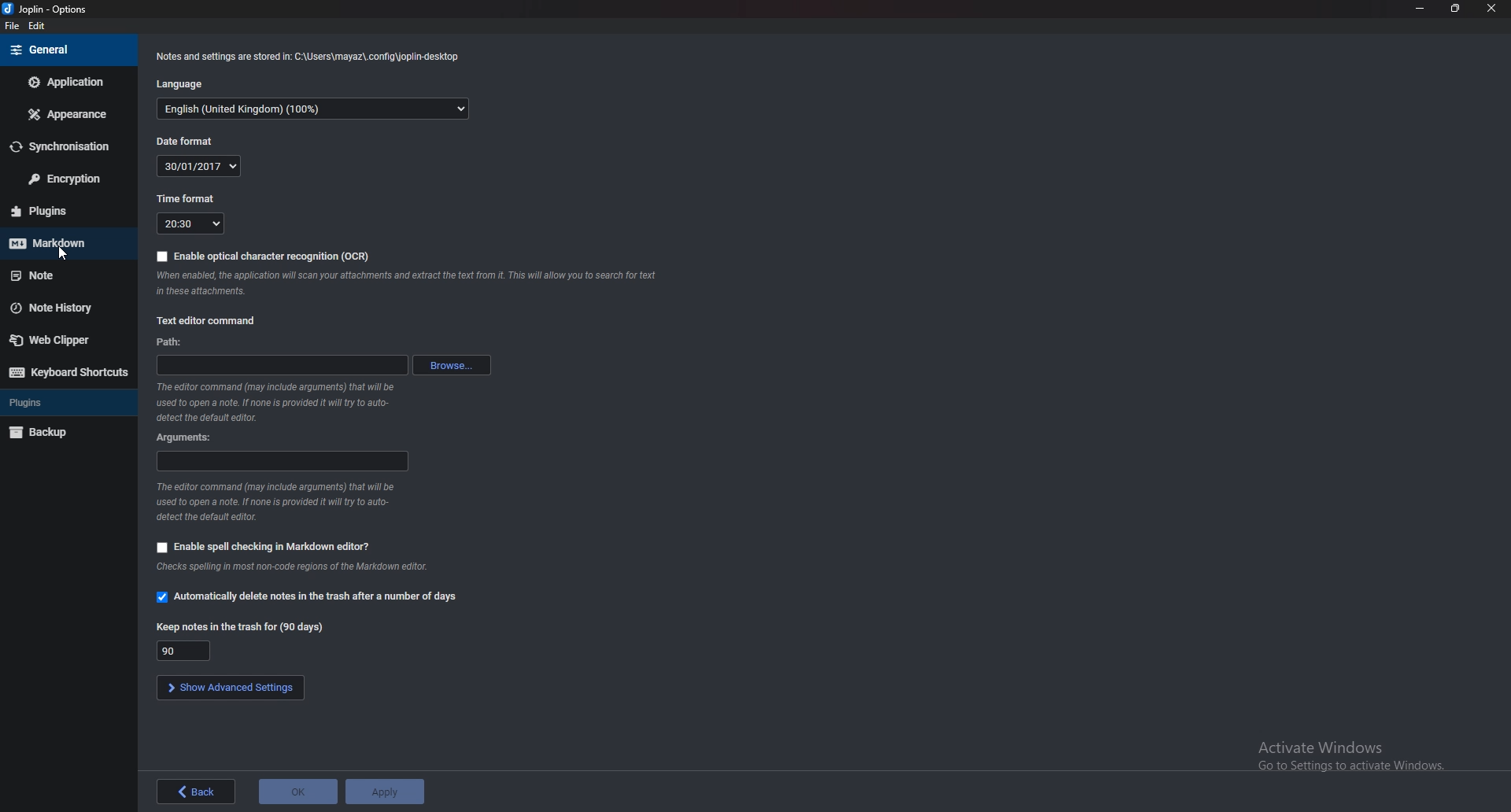 Image resolution: width=1511 pixels, height=812 pixels. I want to click on path, so click(172, 343).